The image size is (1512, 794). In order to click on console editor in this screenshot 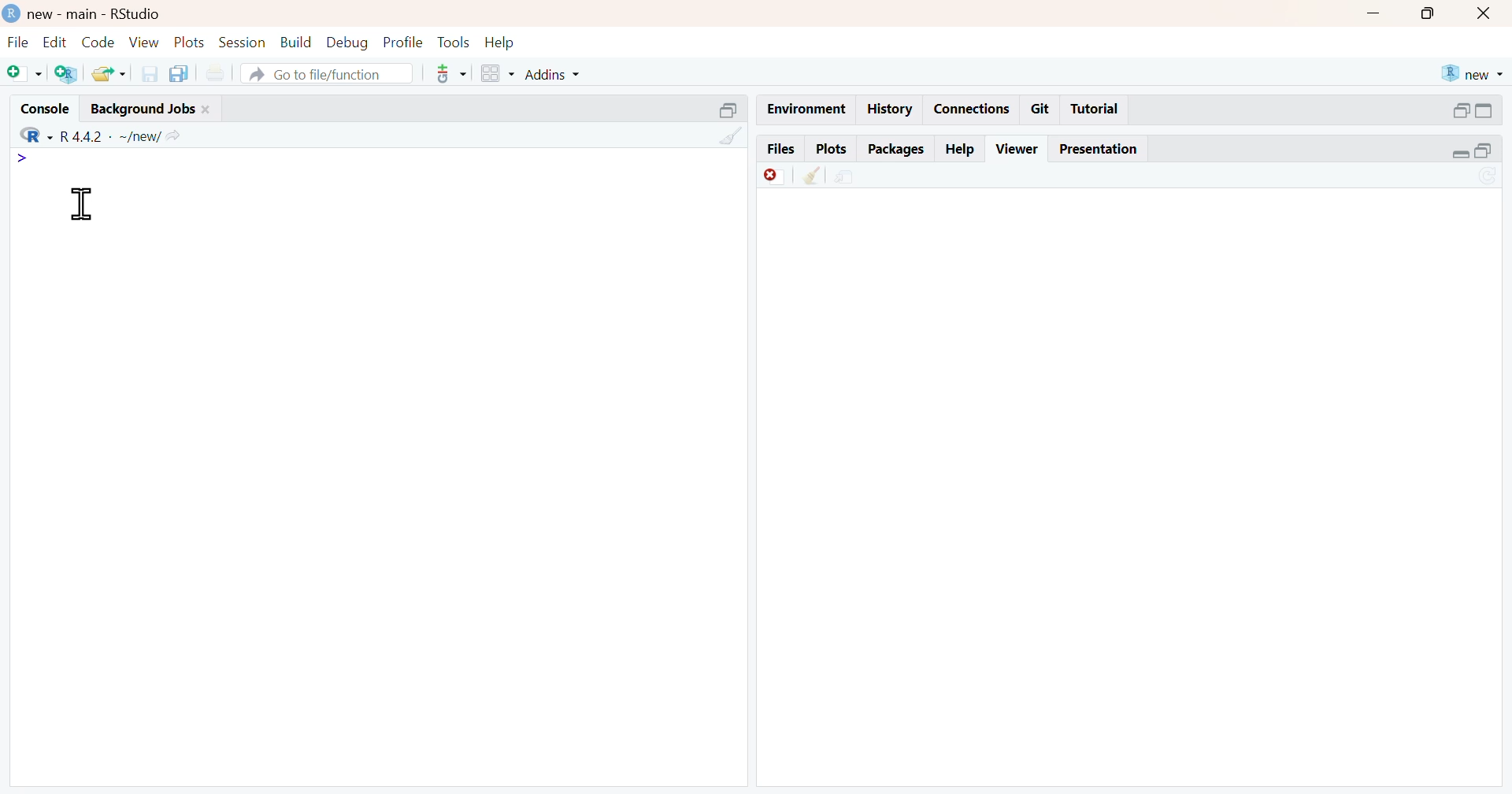, I will do `click(233, 178)`.